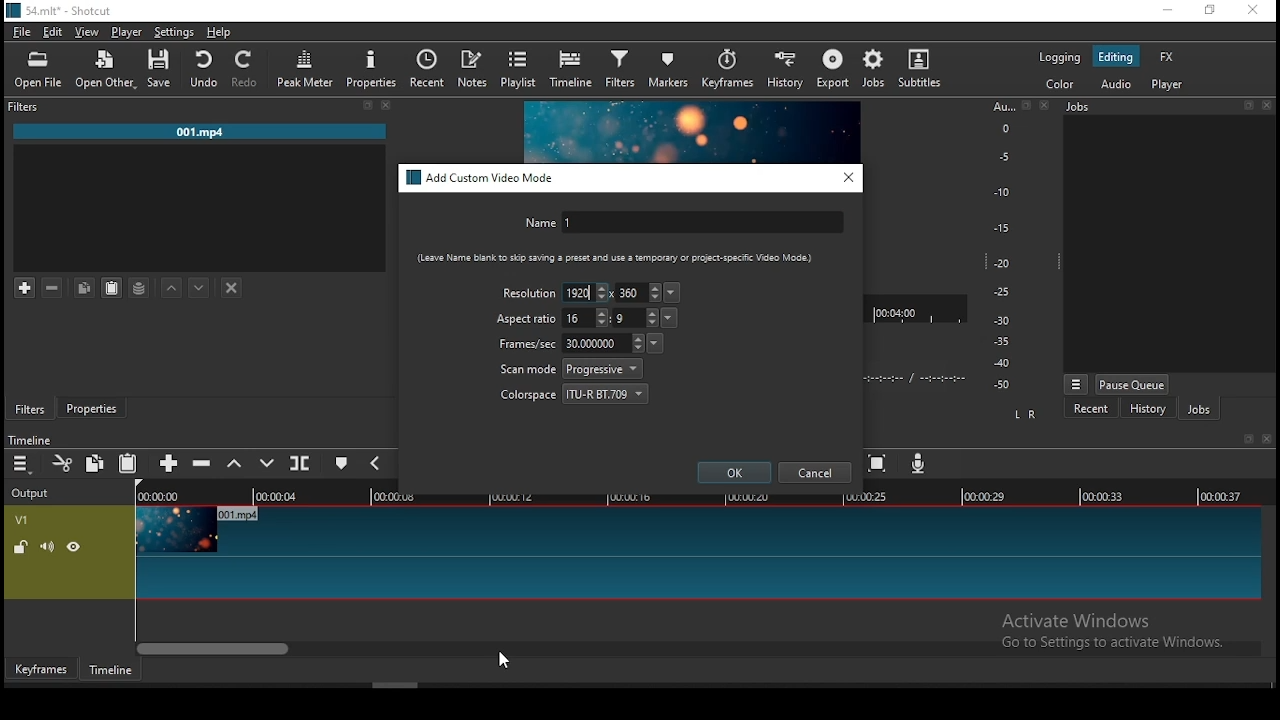 The height and width of the screenshot is (720, 1280). I want to click on scroll bar, so click(699, 647).